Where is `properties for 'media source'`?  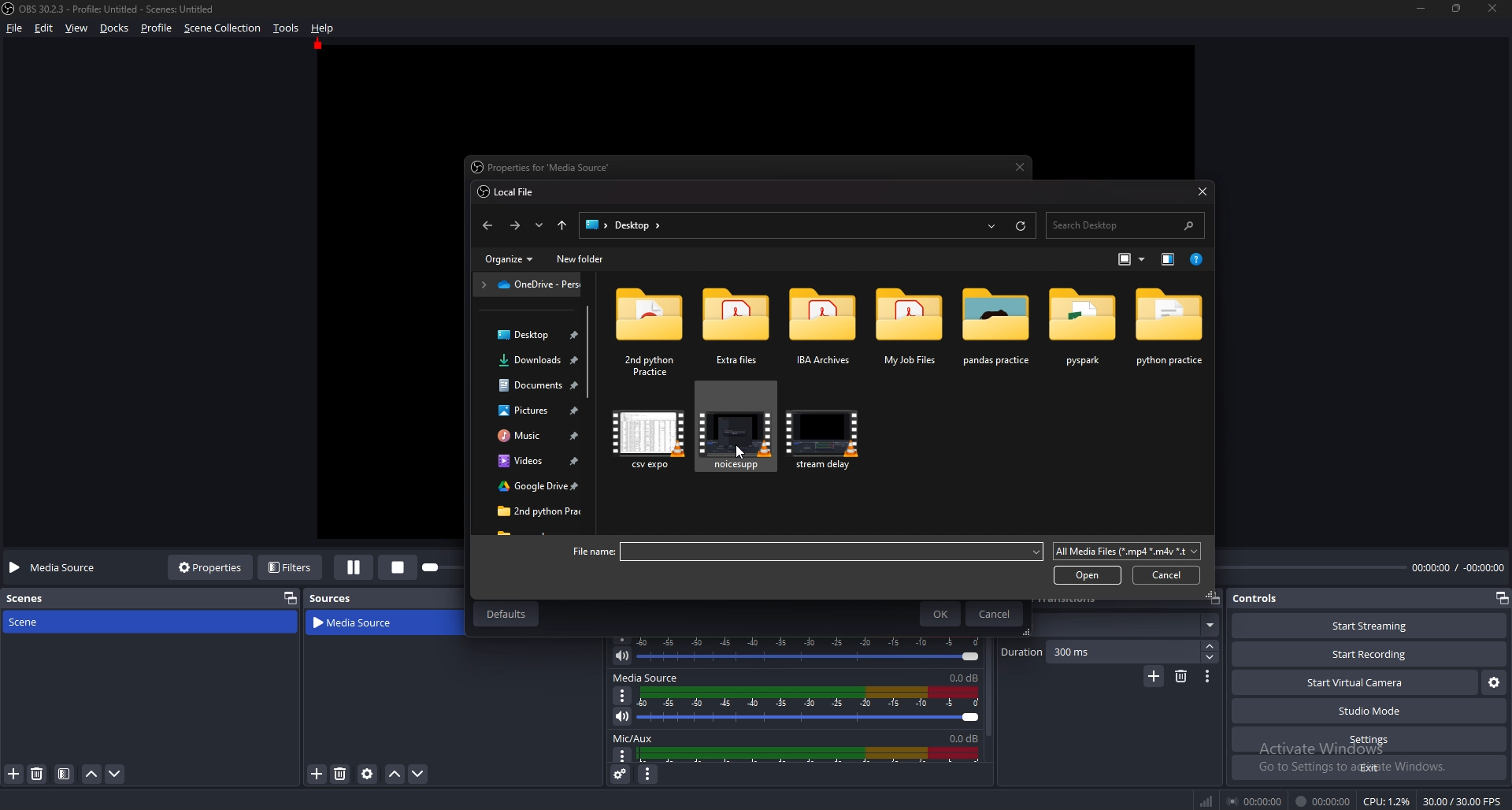 properties for 'media source' is located at coordinates (547, 169).